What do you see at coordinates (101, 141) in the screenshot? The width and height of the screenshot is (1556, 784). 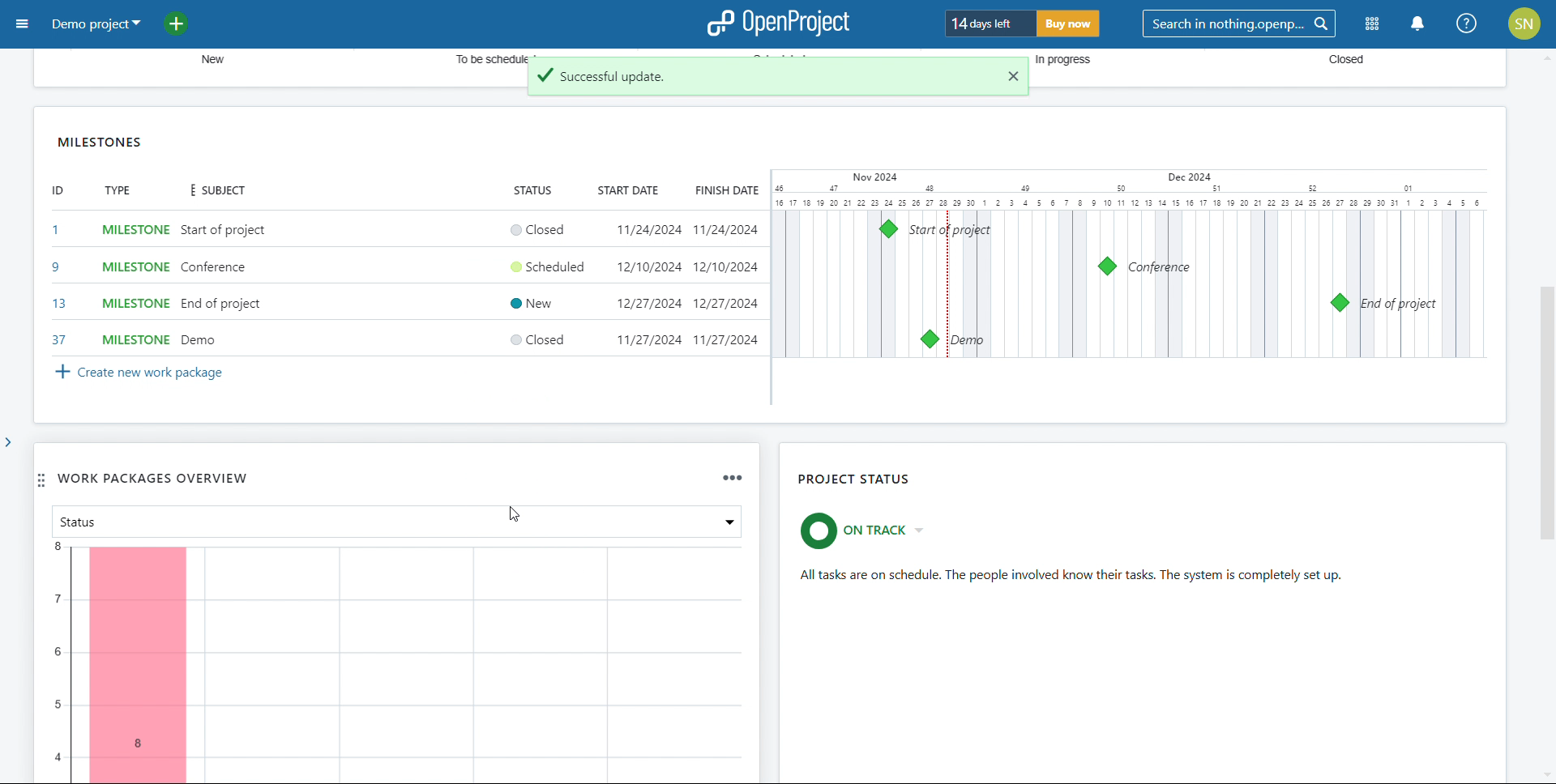 I see `milestones` at bounding box center [101, 141].